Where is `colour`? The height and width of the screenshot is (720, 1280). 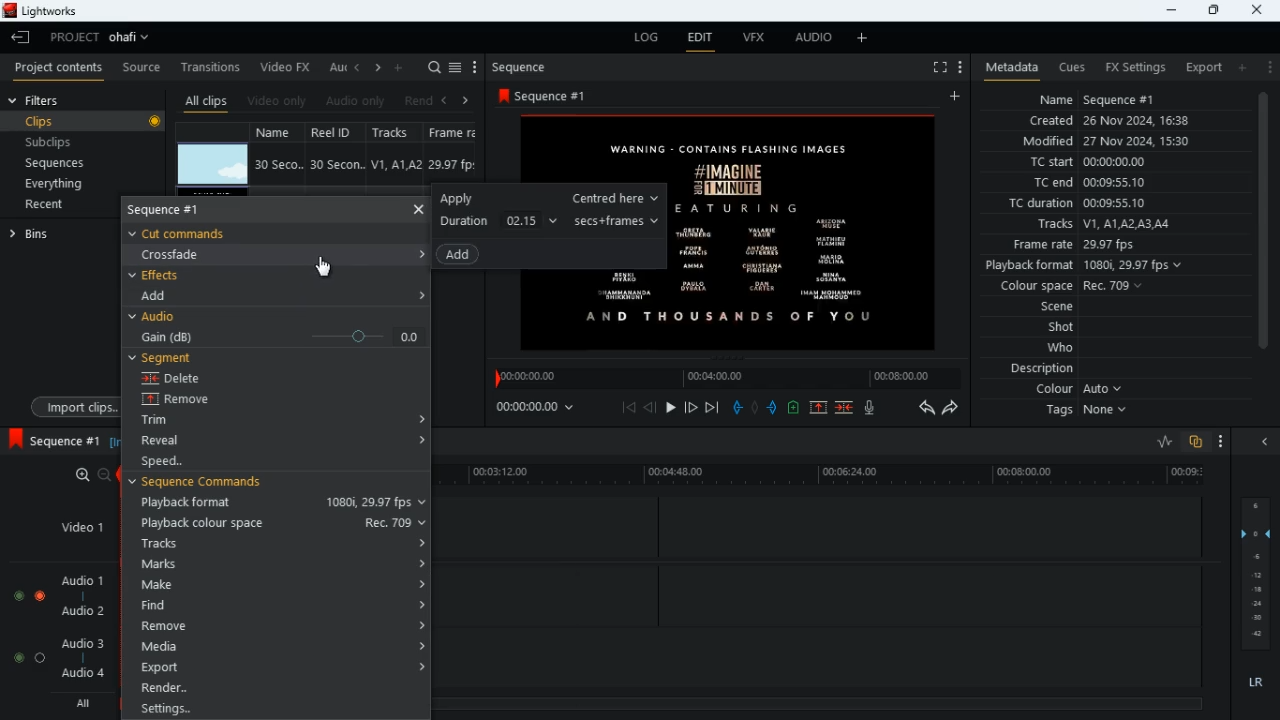
colour is located at coordinates (1080, 390).